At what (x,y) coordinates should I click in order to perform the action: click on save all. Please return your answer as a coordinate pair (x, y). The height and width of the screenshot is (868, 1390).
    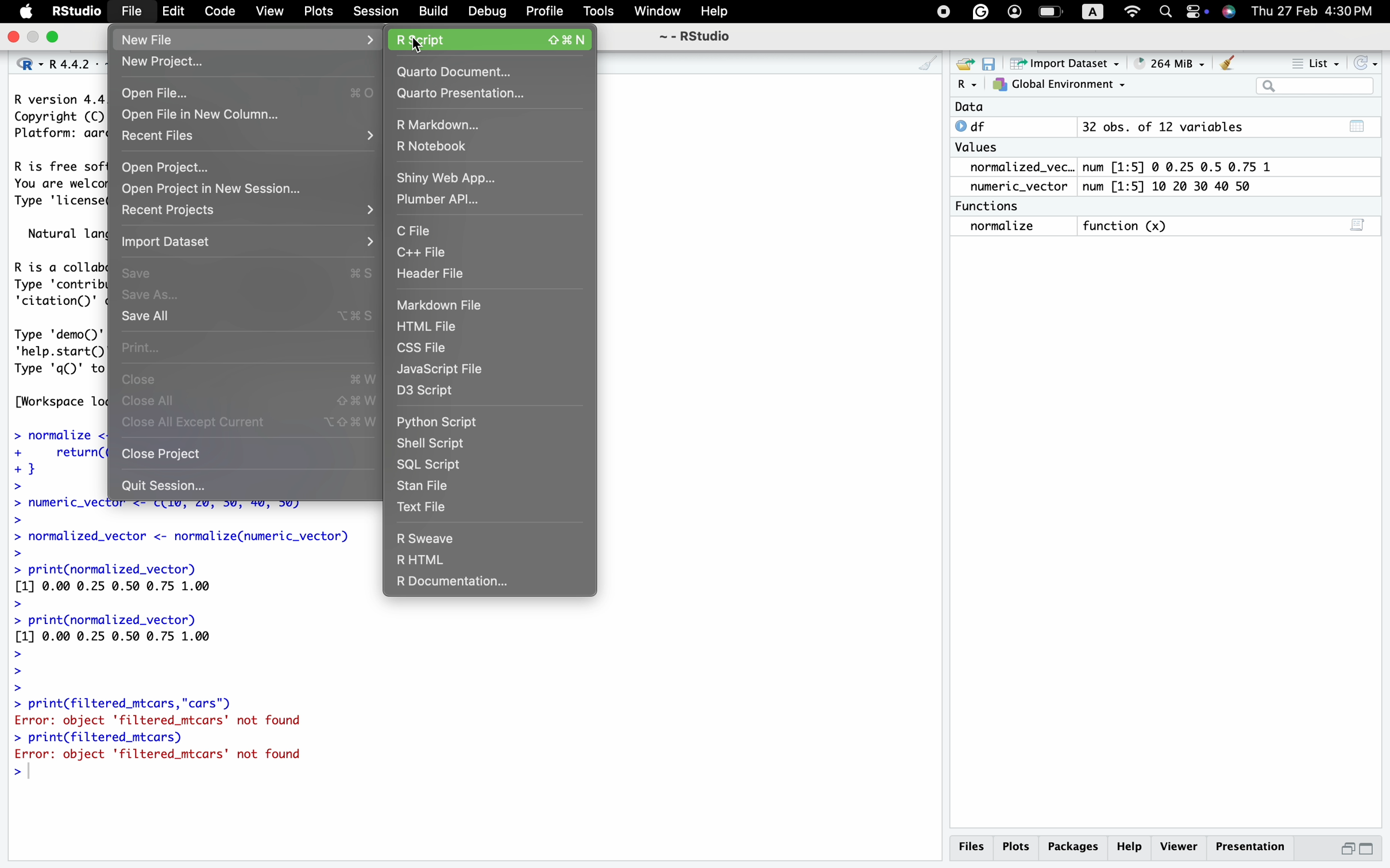
    Looking at the image, I should click on (249, 317).